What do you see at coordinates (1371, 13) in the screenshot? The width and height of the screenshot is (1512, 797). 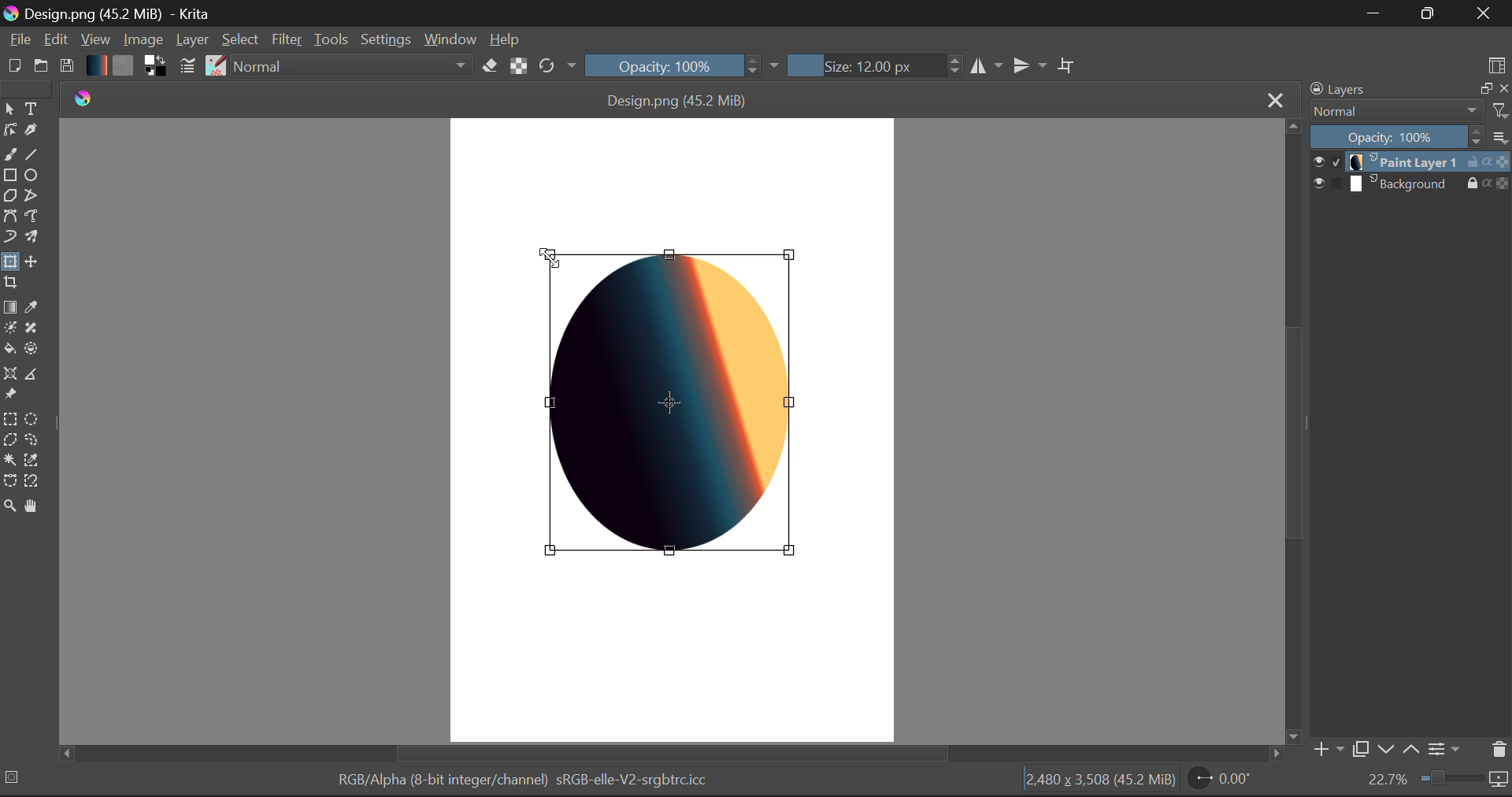 I see `Restore Down` at bounding box center [1371, 13].